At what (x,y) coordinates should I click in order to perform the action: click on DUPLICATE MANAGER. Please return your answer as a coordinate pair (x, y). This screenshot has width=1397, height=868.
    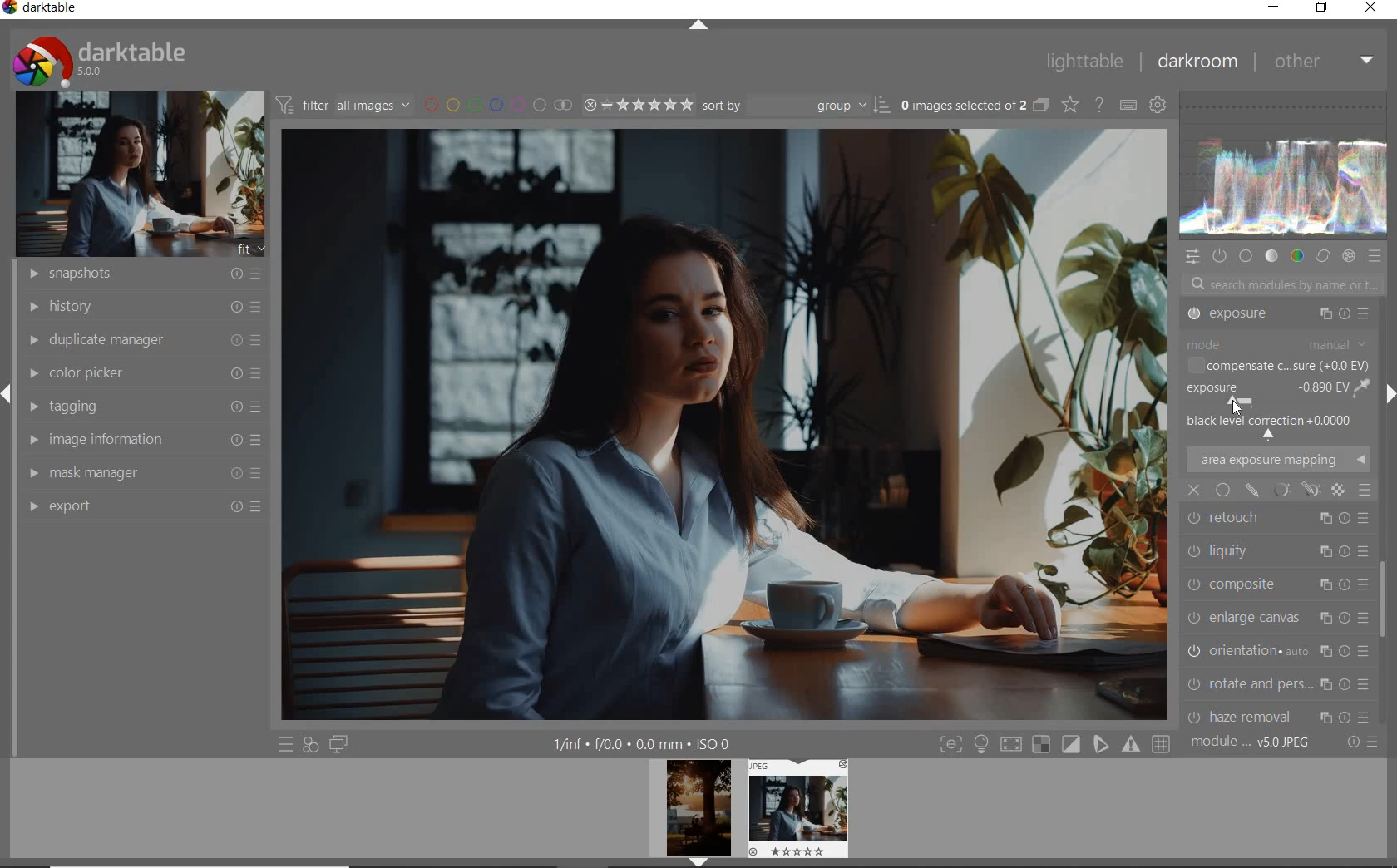
    Looking at the image, I should click on (141, 340).